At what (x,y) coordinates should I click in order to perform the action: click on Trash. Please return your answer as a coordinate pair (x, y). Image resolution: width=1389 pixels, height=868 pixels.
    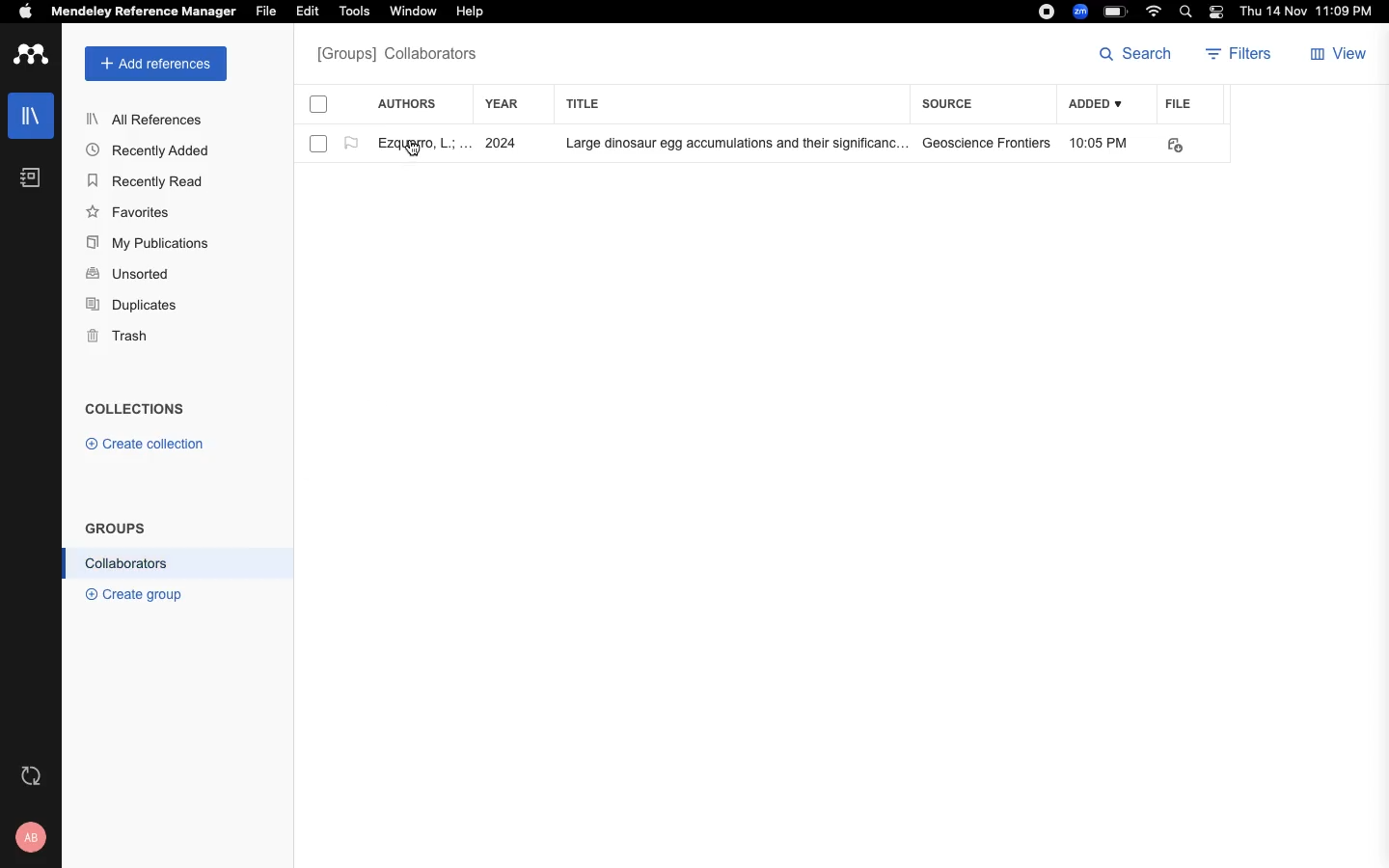
    Looking at the image, I should click on (125, 338).